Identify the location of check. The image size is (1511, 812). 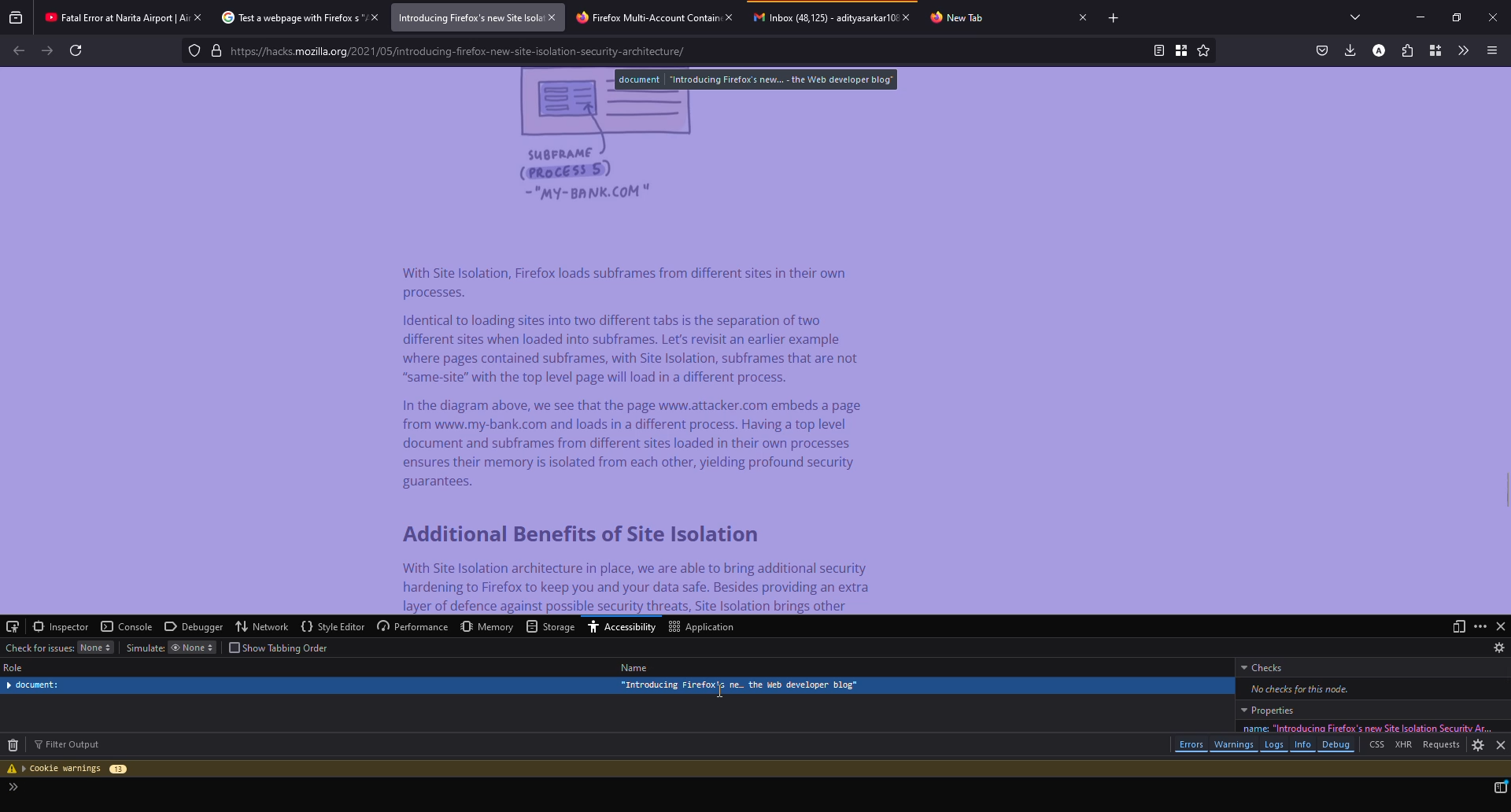
(40, 648).